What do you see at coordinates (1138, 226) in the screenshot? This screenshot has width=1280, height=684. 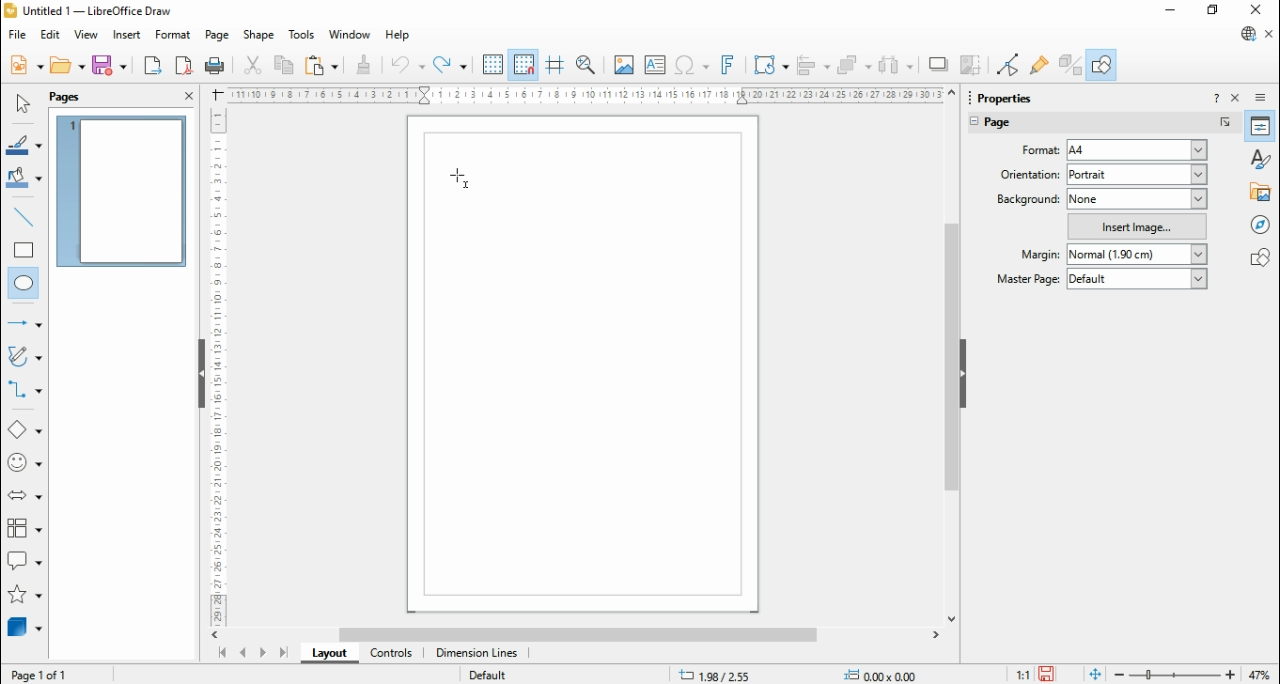 I see `insert image` at bounding box center [1138, 226].